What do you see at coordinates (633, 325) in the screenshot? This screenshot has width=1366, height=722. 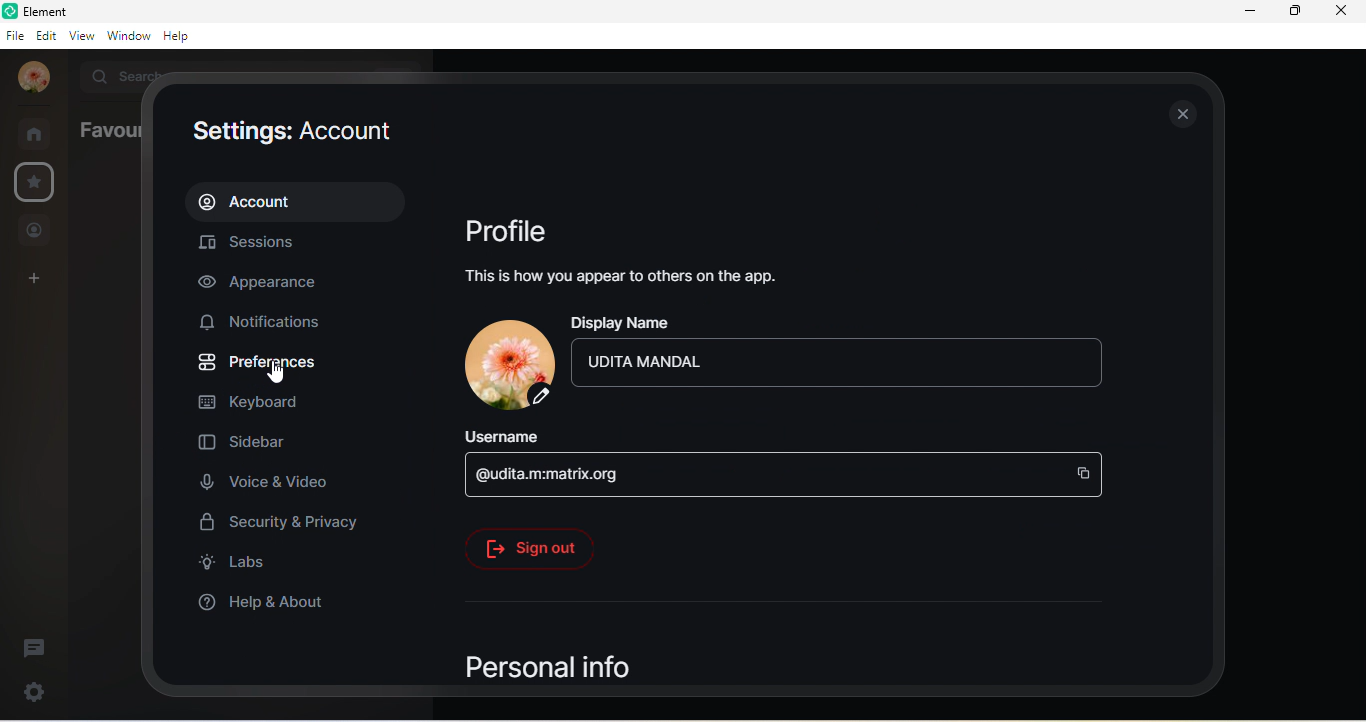 I see `display name` at bounding box center [633, 325].